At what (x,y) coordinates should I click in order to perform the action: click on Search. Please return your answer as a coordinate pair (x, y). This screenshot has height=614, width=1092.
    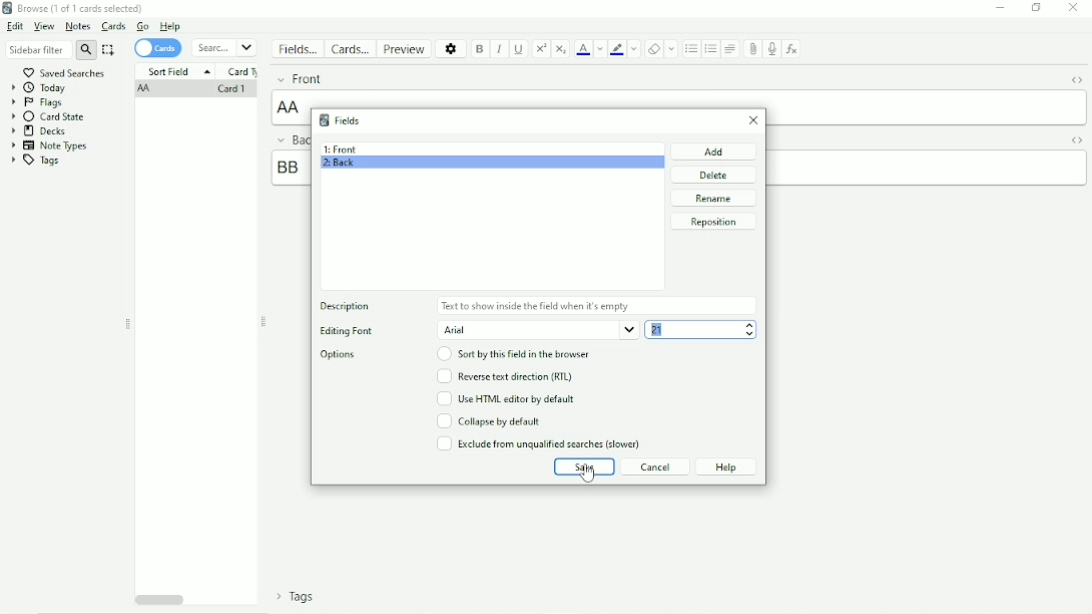
    Looking at the image, I should click on (224, 48).